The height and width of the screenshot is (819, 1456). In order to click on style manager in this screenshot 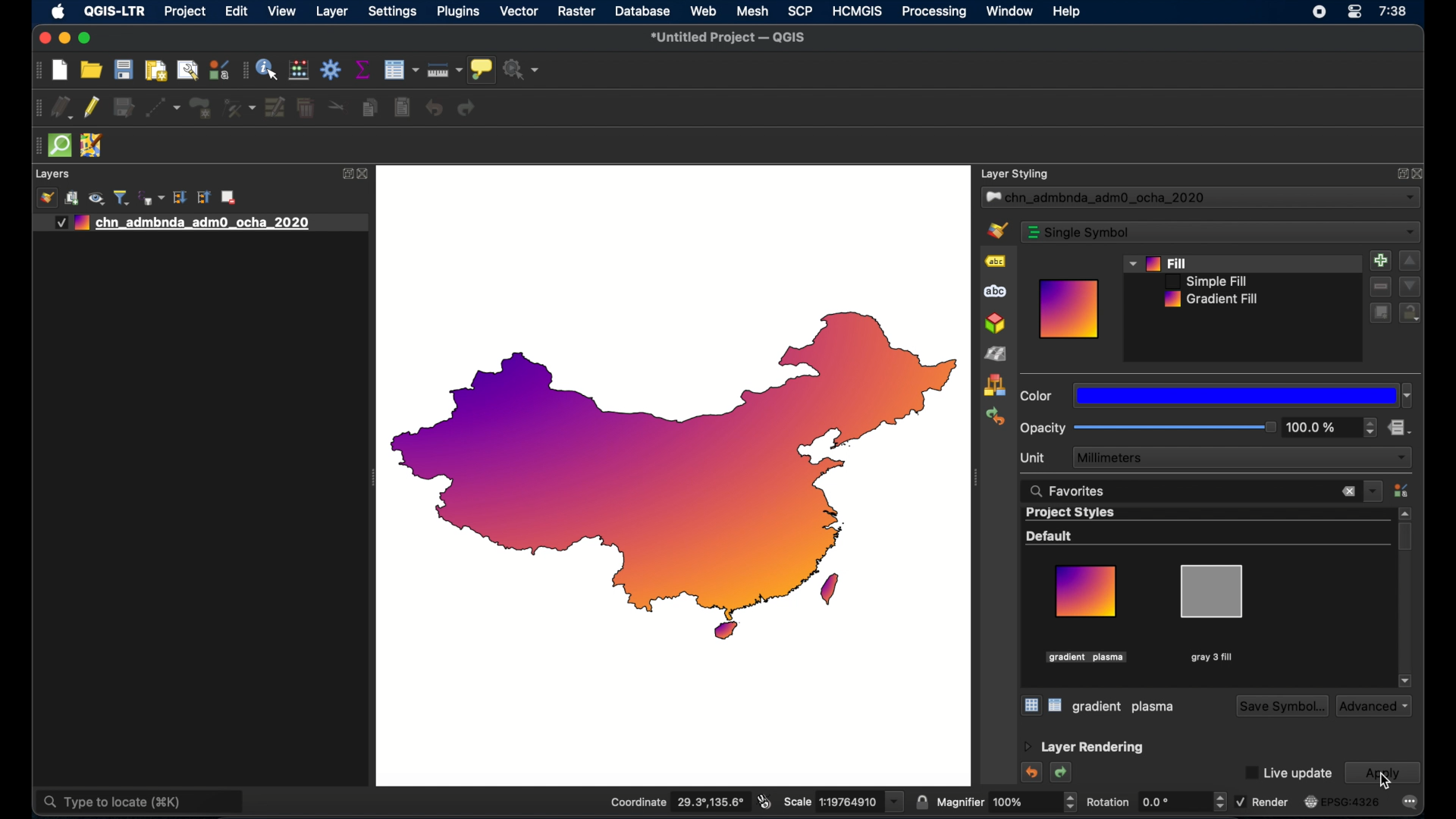, I will do `click(299, 71)`.